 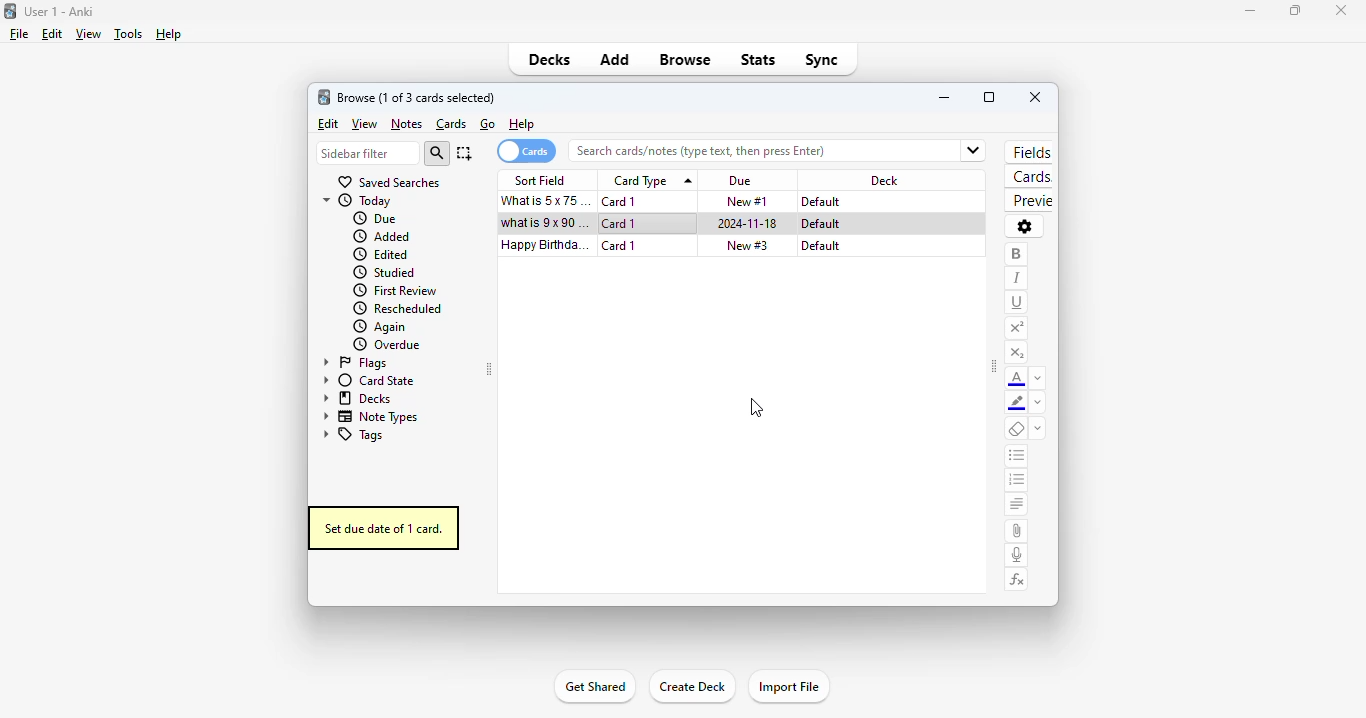 I want to click on happy birthday song!!!.mp3, so click(x=545, y=245).